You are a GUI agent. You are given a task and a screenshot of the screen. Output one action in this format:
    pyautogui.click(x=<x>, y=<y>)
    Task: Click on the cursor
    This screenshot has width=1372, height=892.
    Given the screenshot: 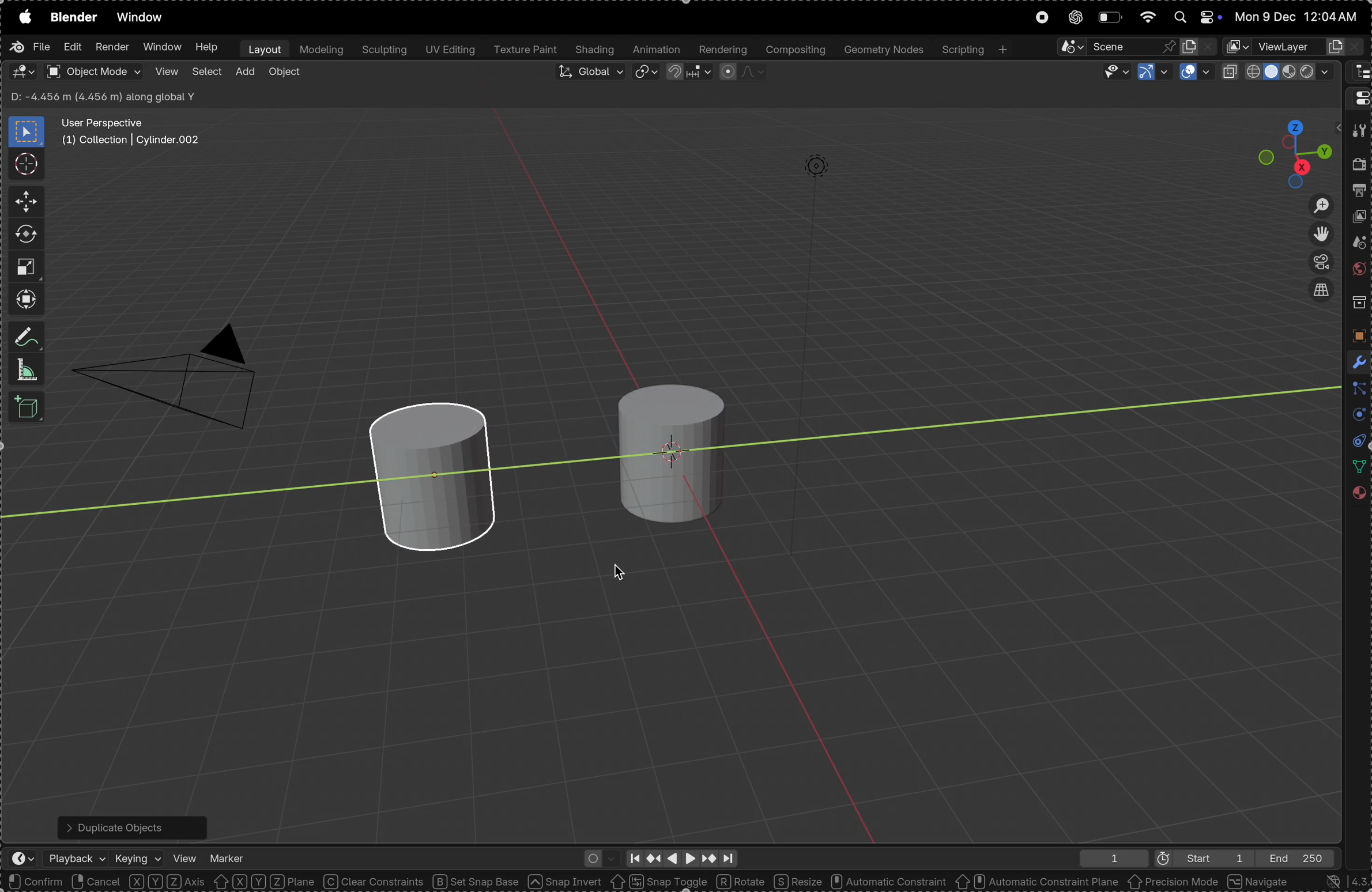 What is the action you would take?
    pyautogui.click(x=25, y=163)
    